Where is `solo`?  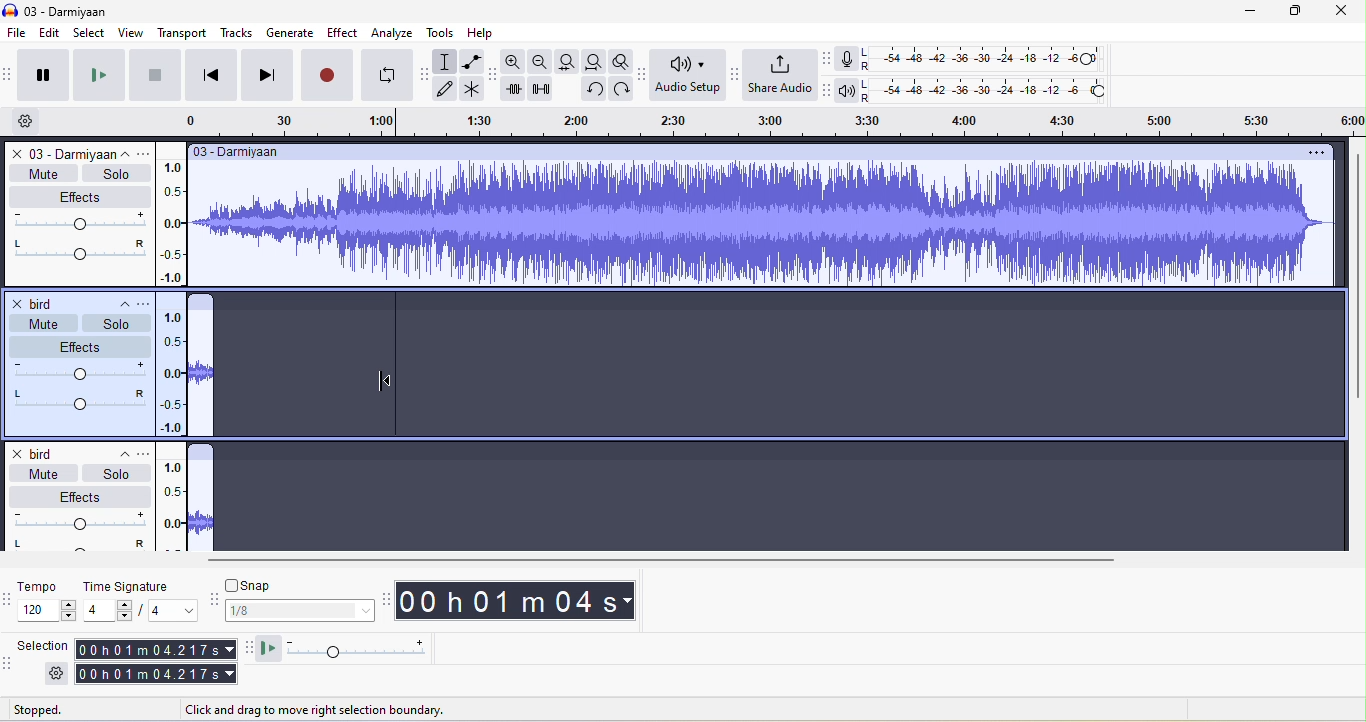 solo is located at coordinates (114, 323).